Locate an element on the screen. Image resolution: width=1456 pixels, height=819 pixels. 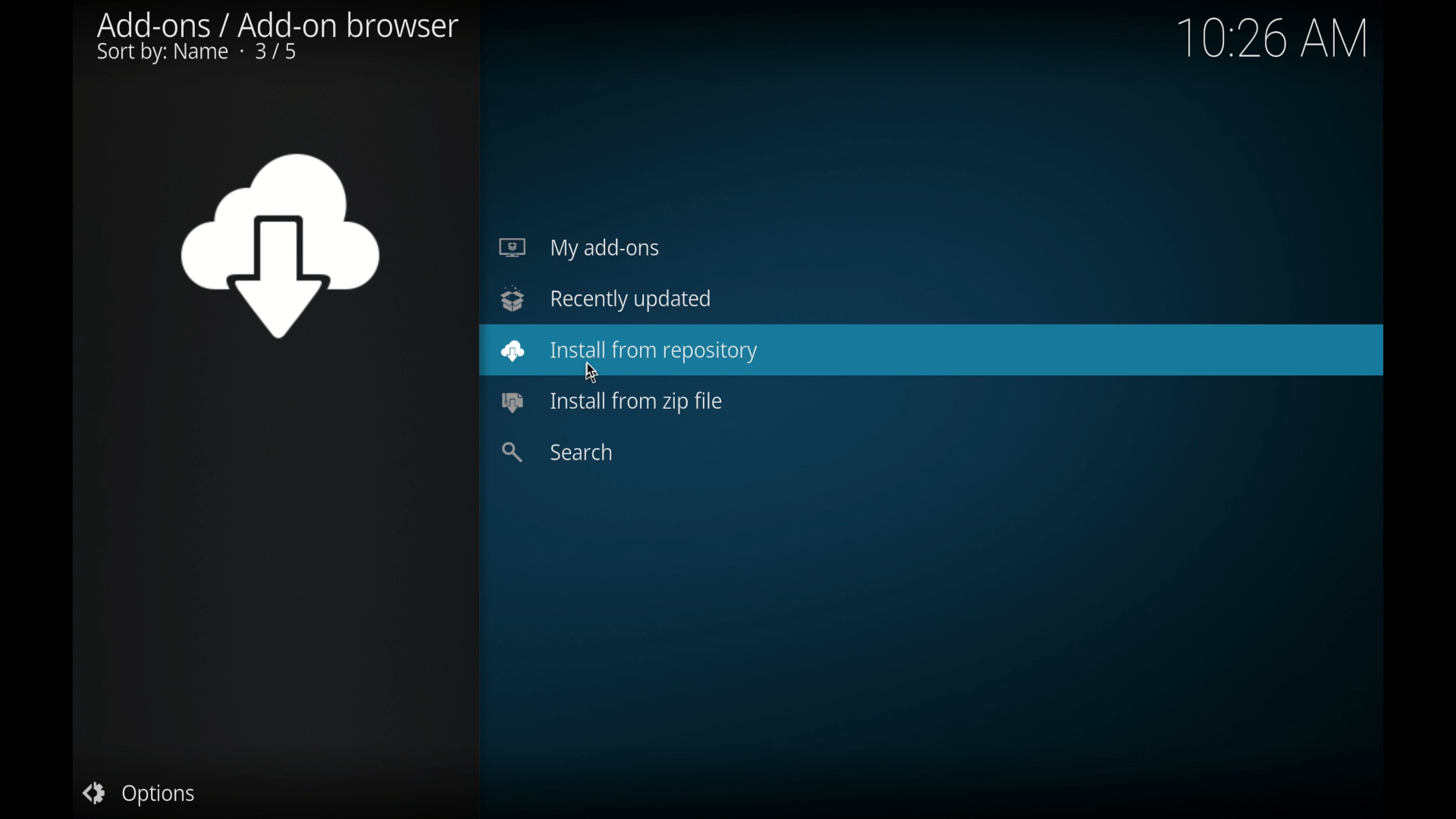
add-ons icon is located at coordinates (281, 247).